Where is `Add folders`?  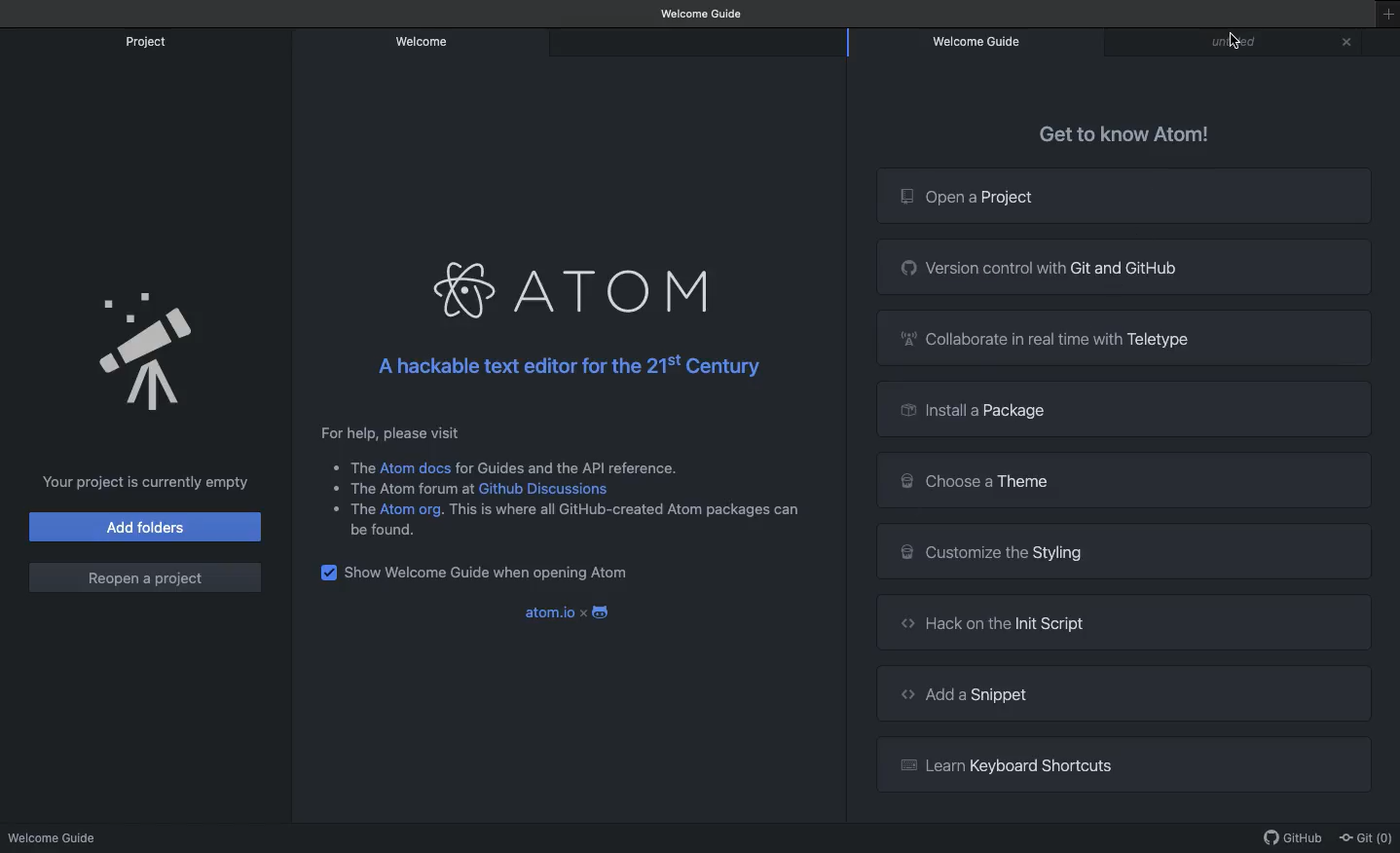
Add folders is located at coordinates (143, 529).